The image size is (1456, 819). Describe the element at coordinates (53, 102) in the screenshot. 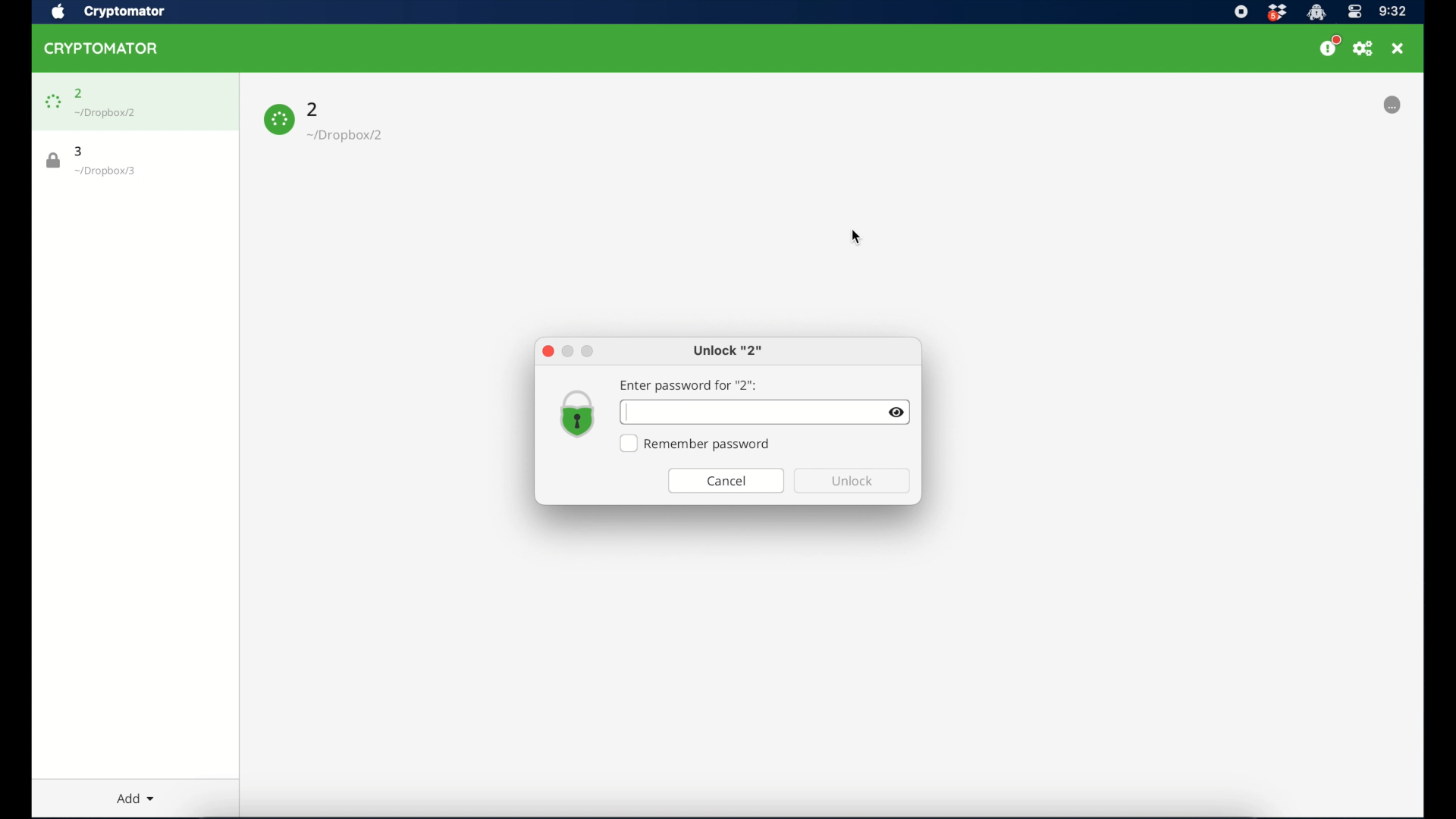

I see `lock icon` at that location.